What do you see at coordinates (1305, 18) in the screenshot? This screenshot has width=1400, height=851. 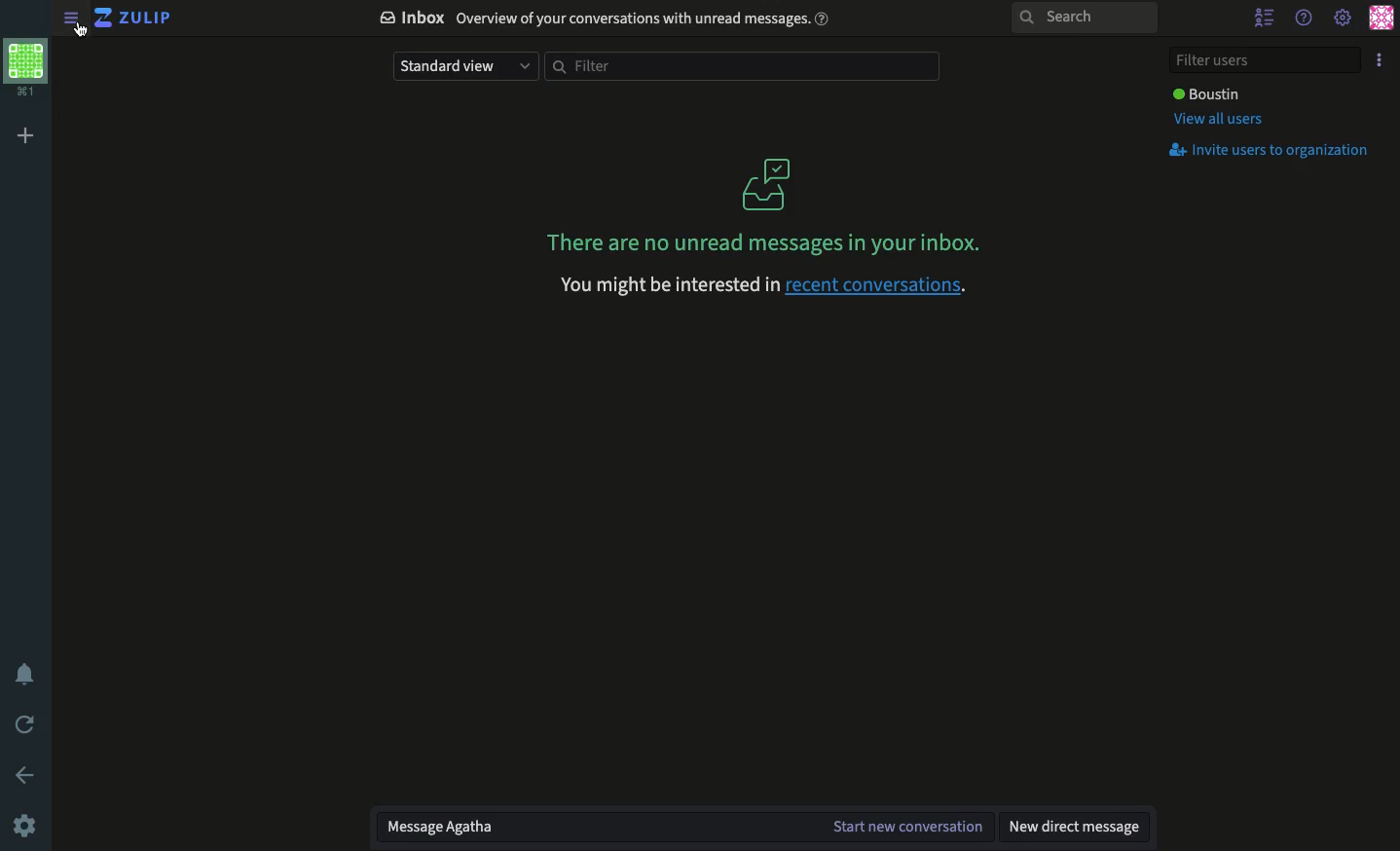 I see `Help` at bounding box center [1305, 18].